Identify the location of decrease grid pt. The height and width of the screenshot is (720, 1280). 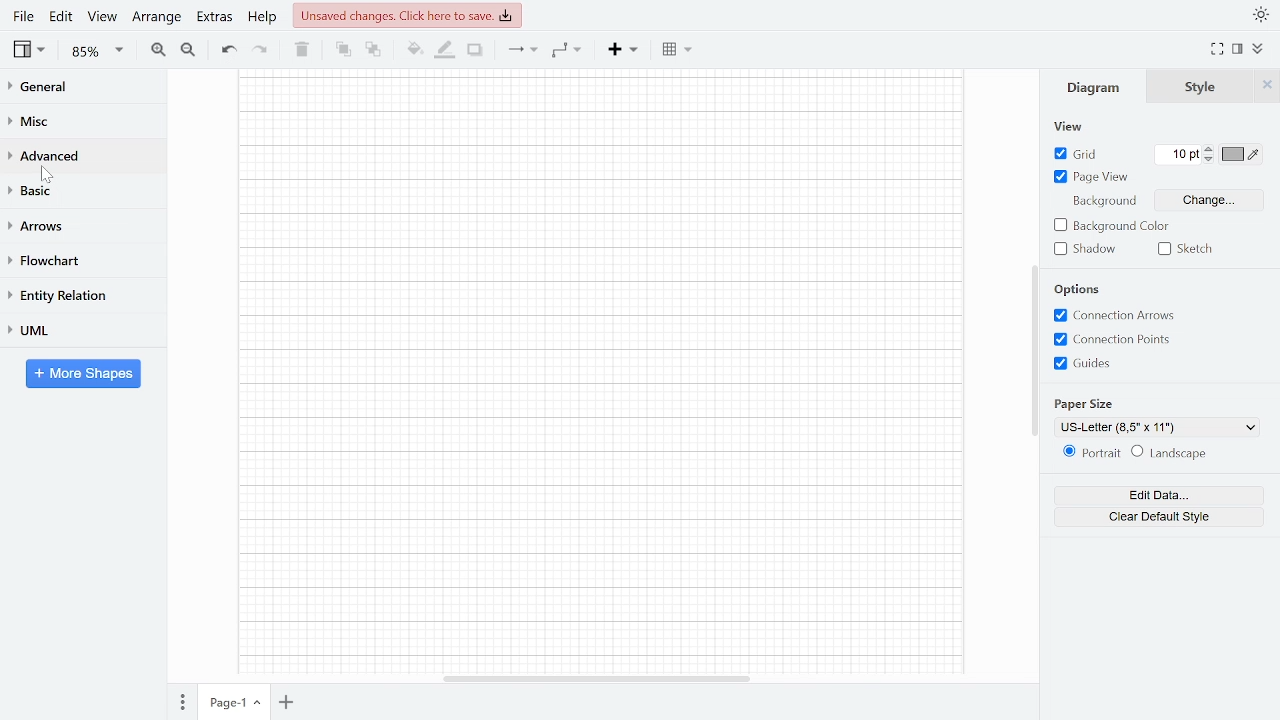
(1211, 159).